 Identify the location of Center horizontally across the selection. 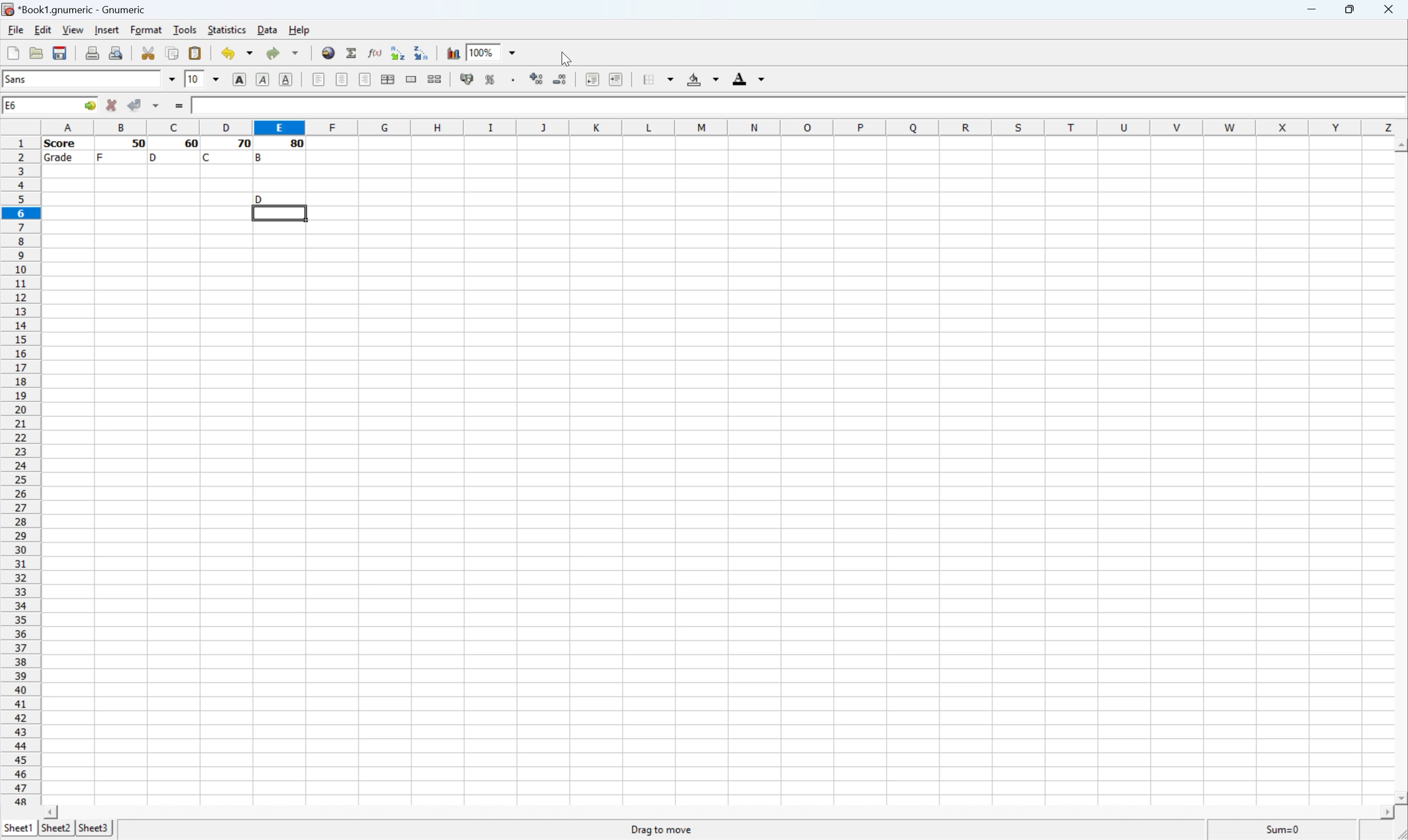
(389, 79).